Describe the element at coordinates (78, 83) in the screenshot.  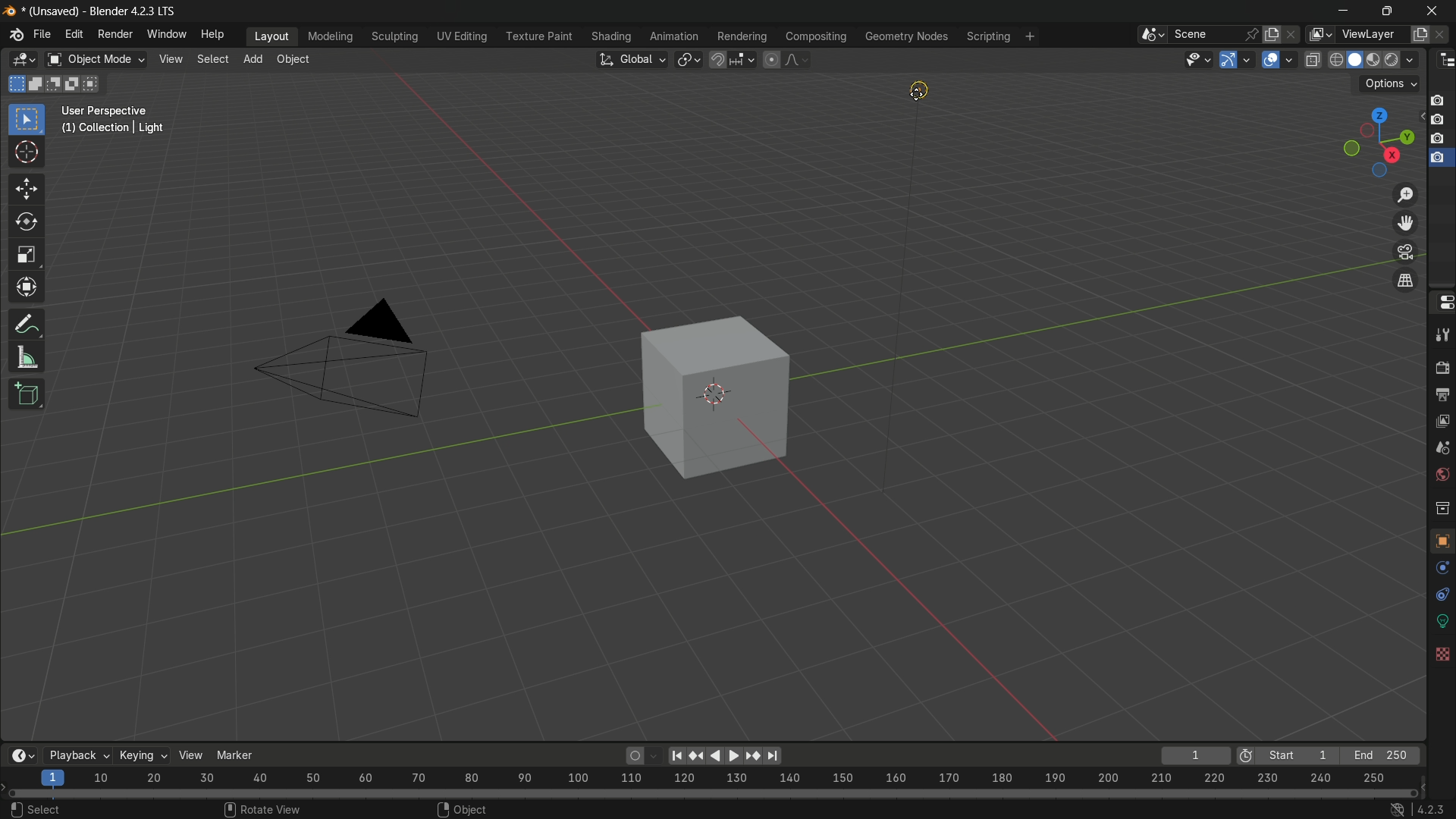
I see `invert selection` at that location.